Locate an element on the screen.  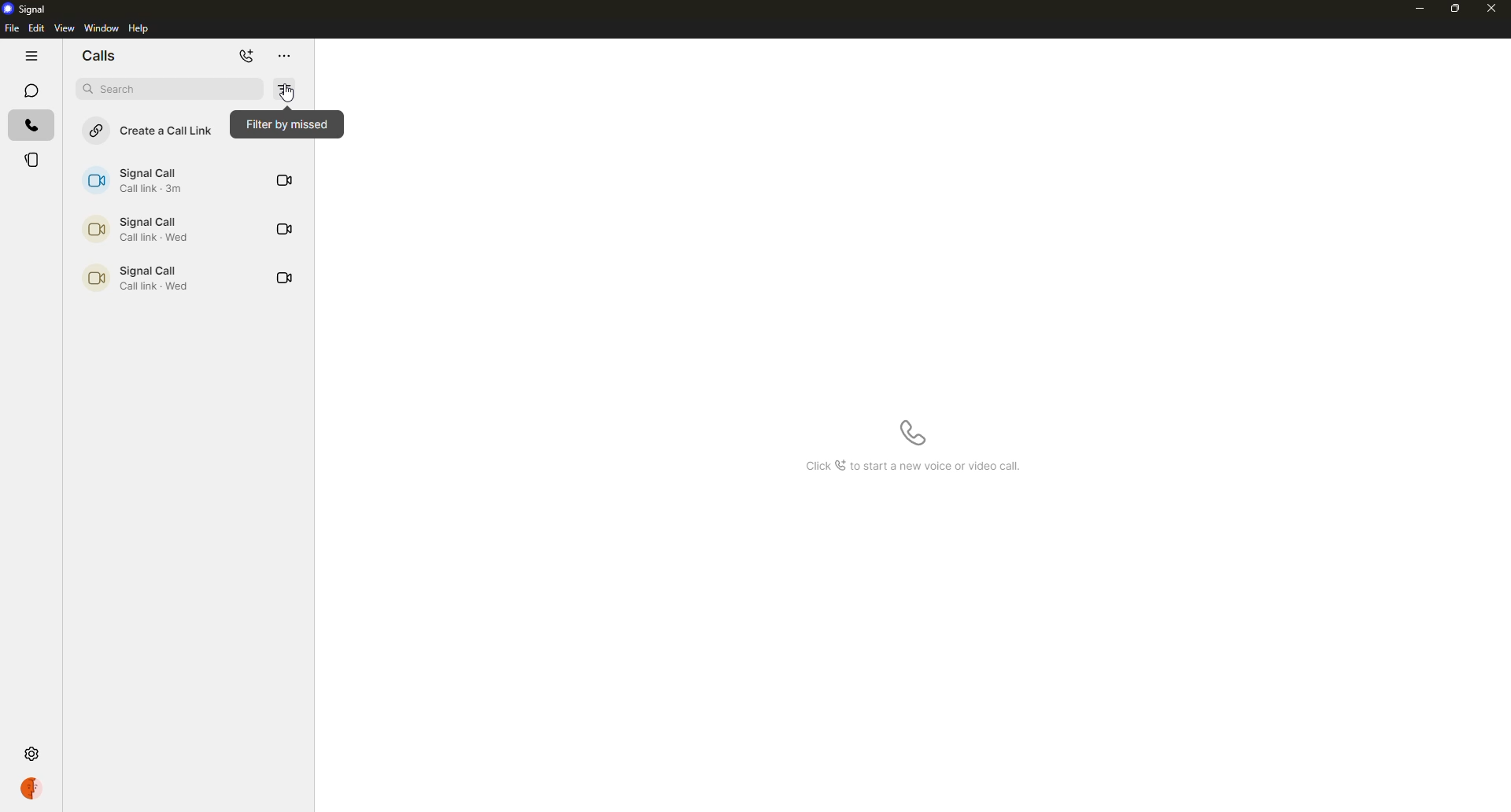
help is located at coordinates (142, 28).